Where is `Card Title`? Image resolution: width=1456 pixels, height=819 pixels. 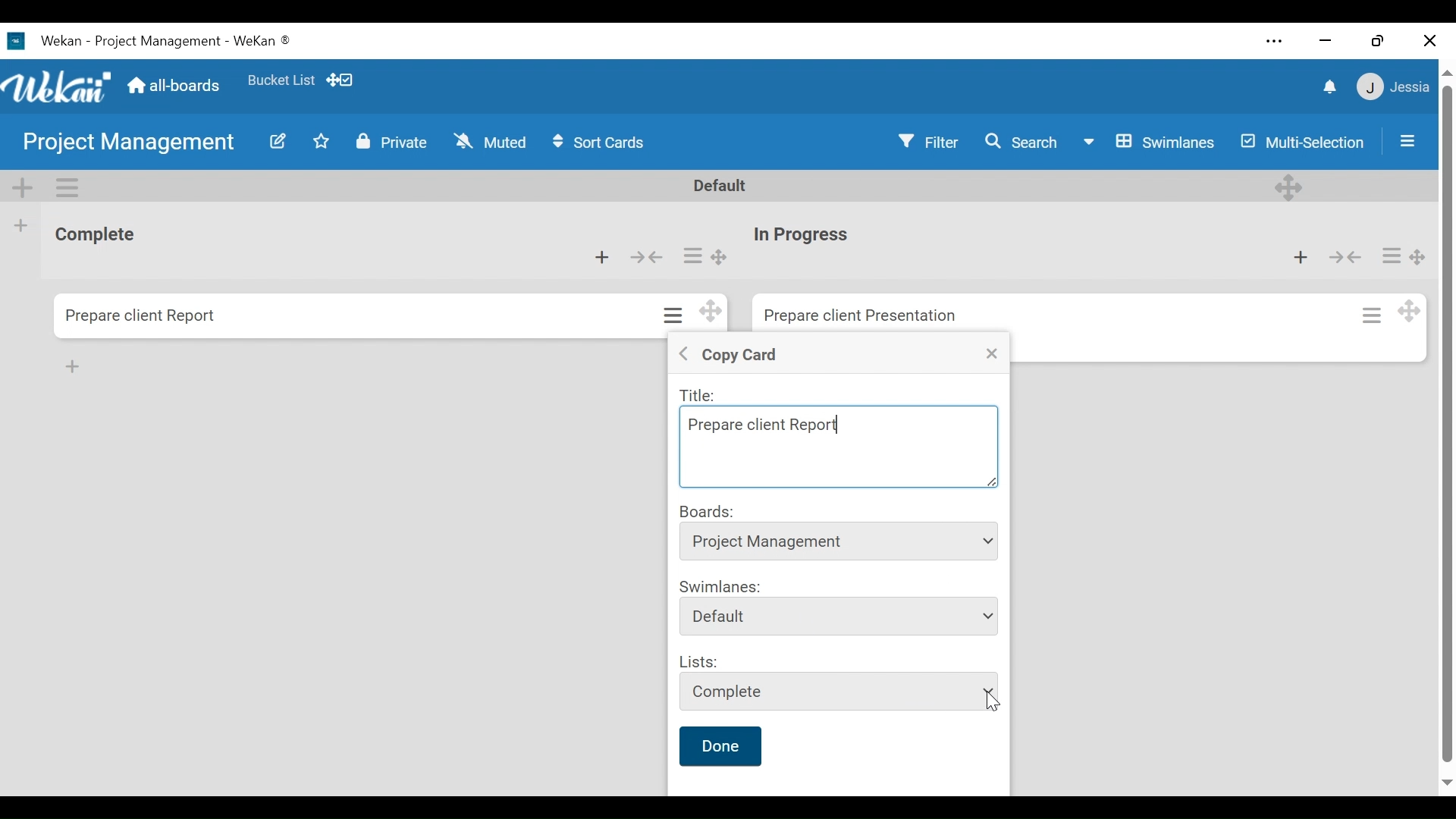
Card Title is located at coordinates (142, 315).